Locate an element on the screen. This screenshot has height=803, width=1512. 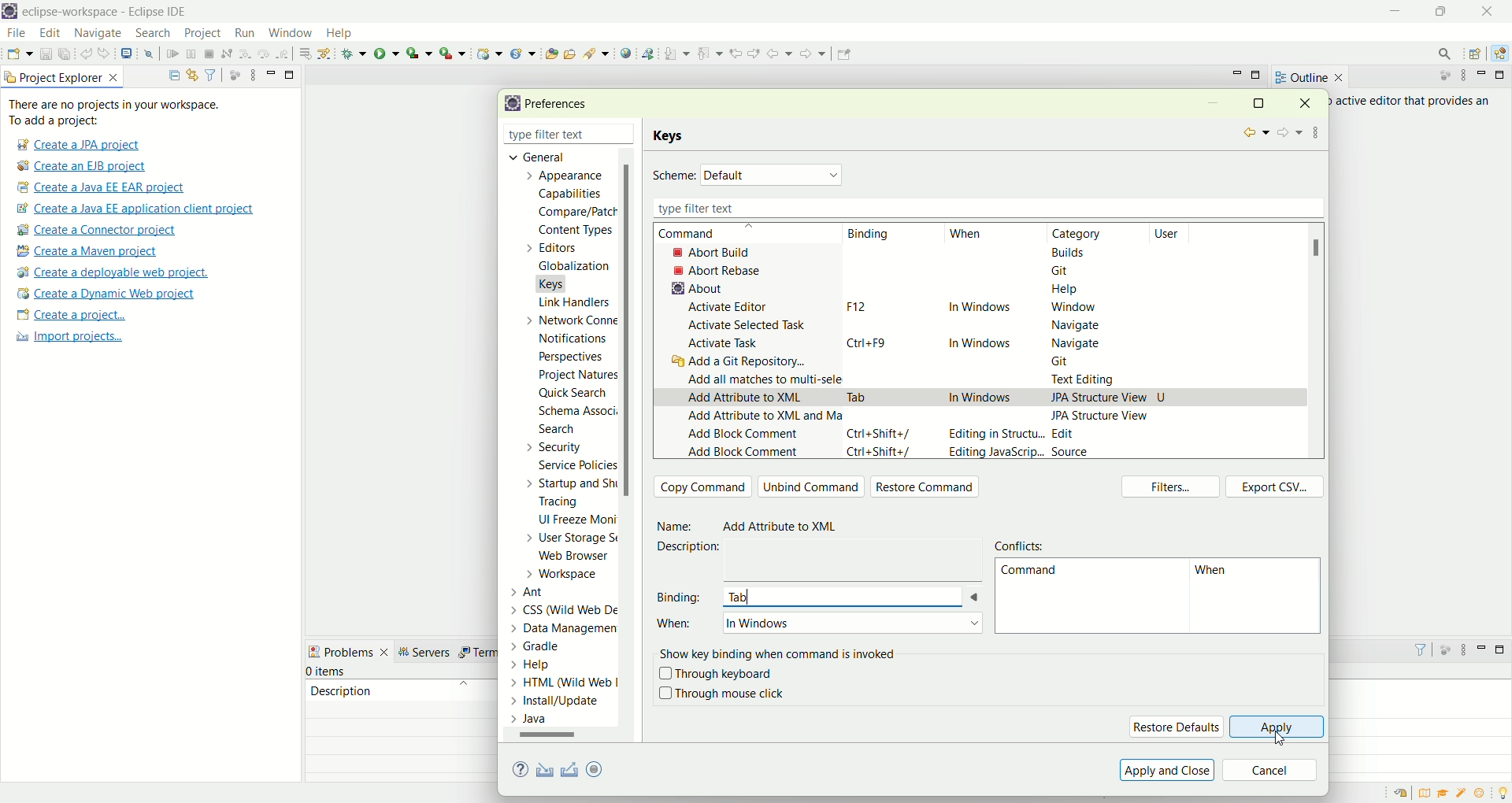
restore welcome is located at coordinates (1404, 794).